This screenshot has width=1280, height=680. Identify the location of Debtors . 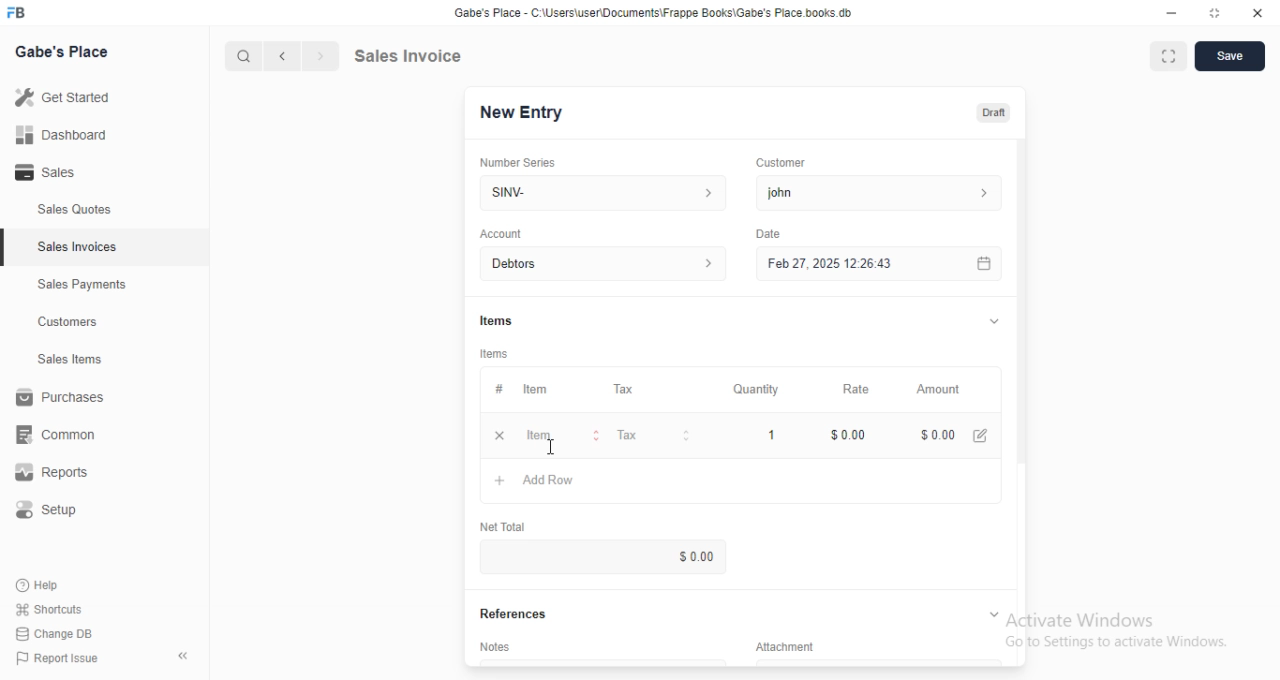
(599, 263).